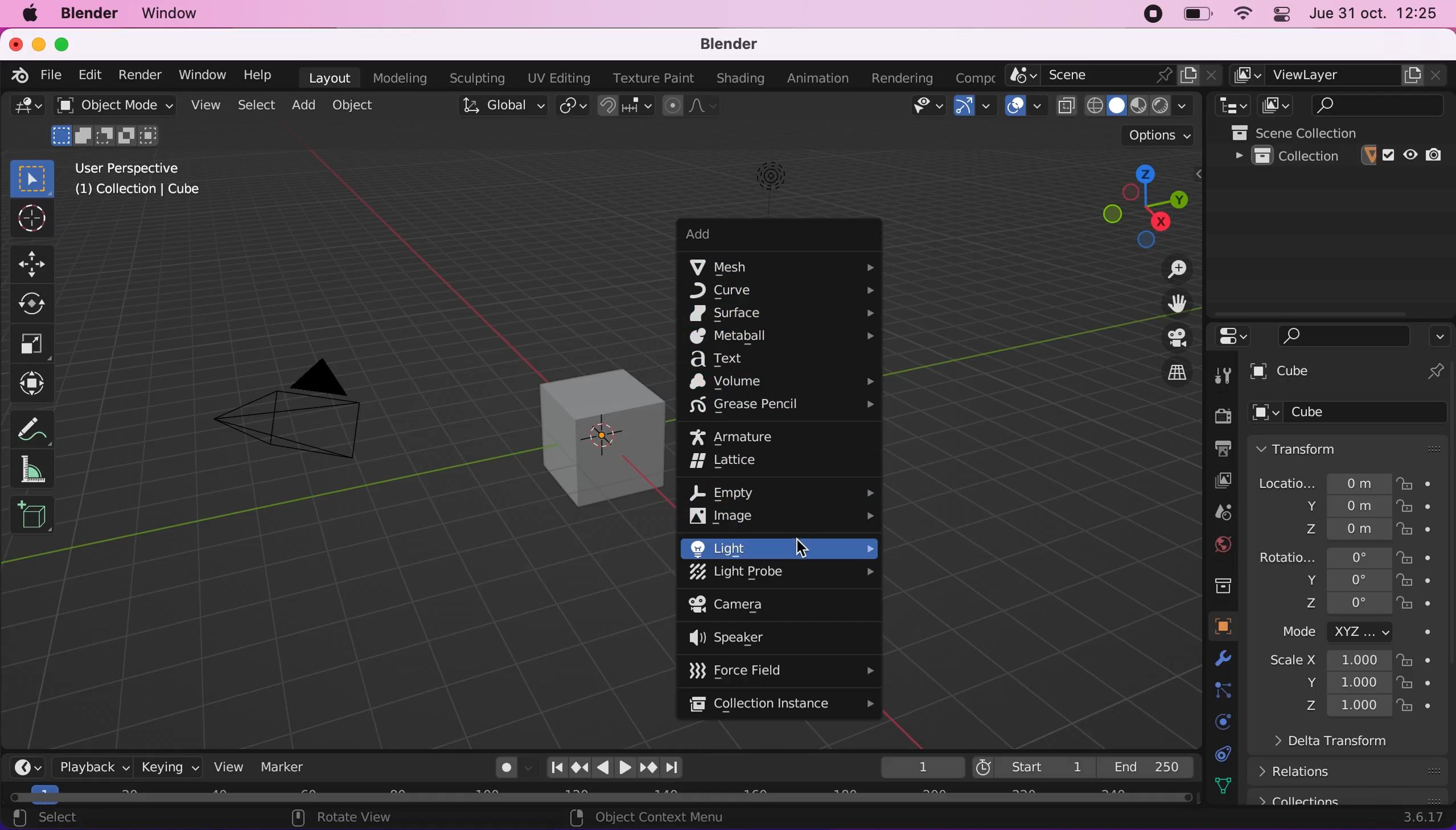 The width and height of the screenshot is (1456, 830). What do you see at coordinates (784, 266) in the screenshot?
I see `mesh` at bounding box center [784, 266].